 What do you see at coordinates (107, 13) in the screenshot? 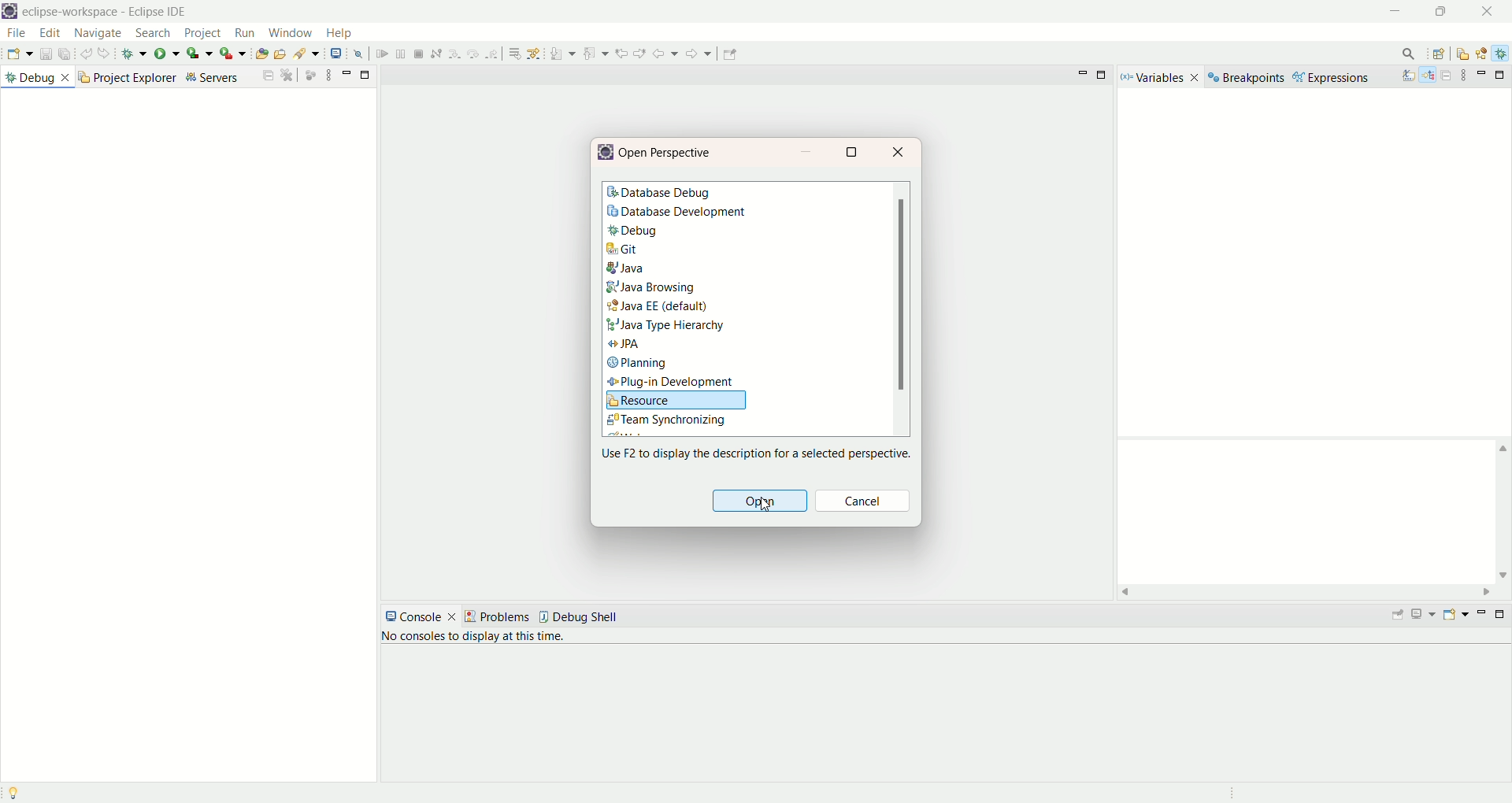
I see `eclipse-workspace-Eclipse IDE` at bounding box center [107, 13].